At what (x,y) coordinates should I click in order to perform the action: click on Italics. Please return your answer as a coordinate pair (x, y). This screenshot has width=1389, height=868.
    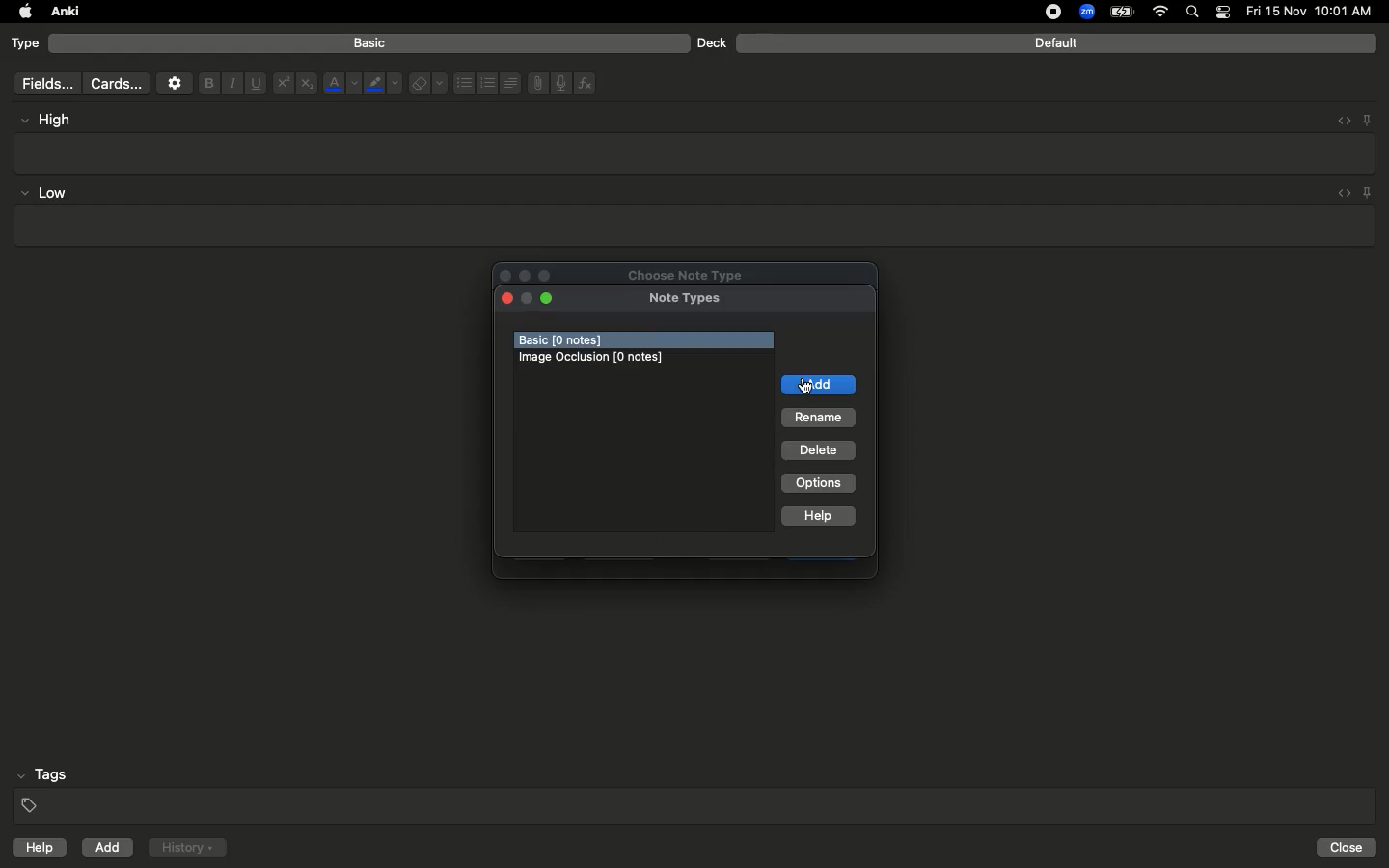
    Looking at the image, I should click on (230, 84).